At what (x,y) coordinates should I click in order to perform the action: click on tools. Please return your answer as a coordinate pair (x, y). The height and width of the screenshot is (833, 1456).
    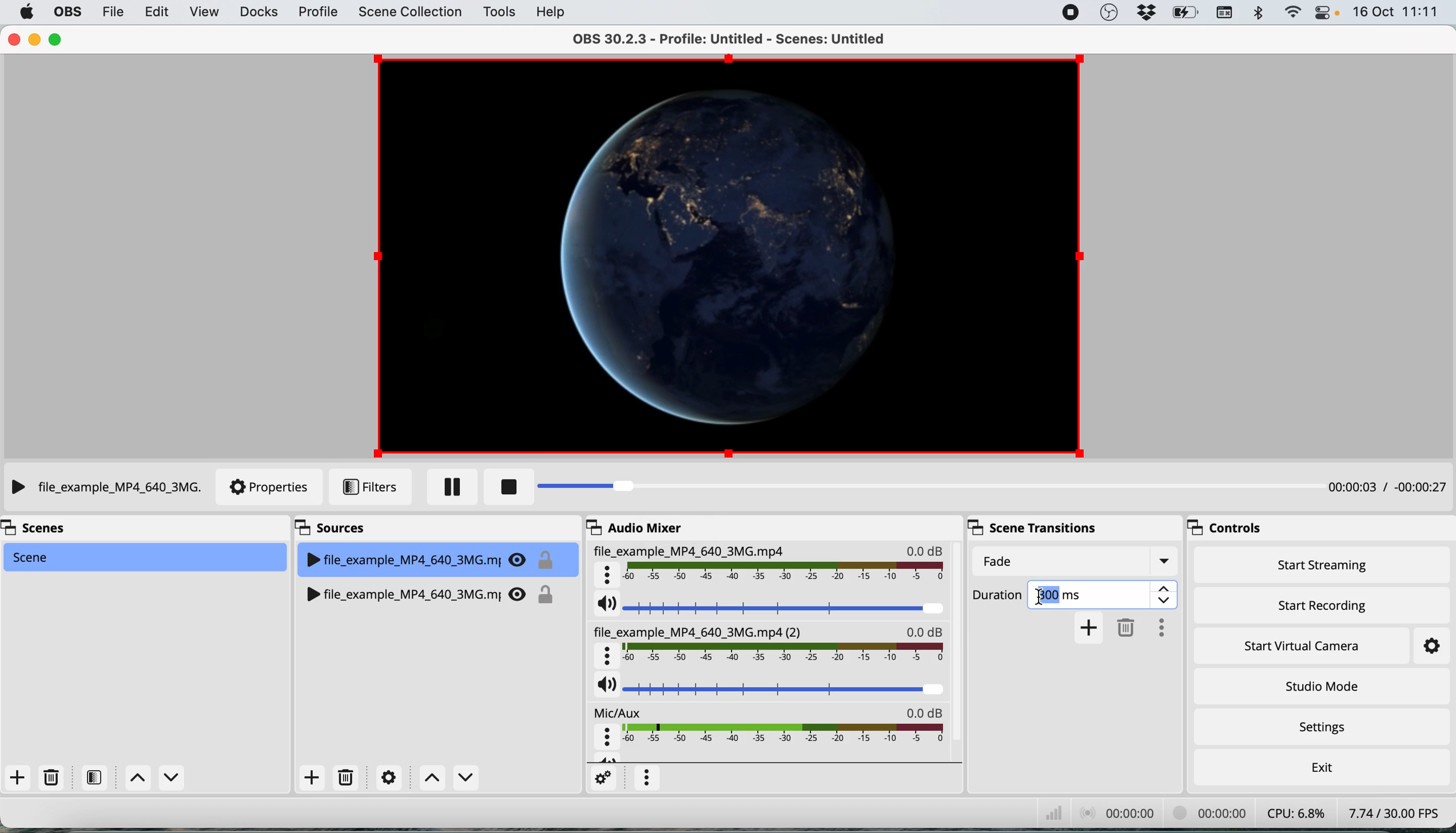
    Looking at the image, I should click on (499, 13).